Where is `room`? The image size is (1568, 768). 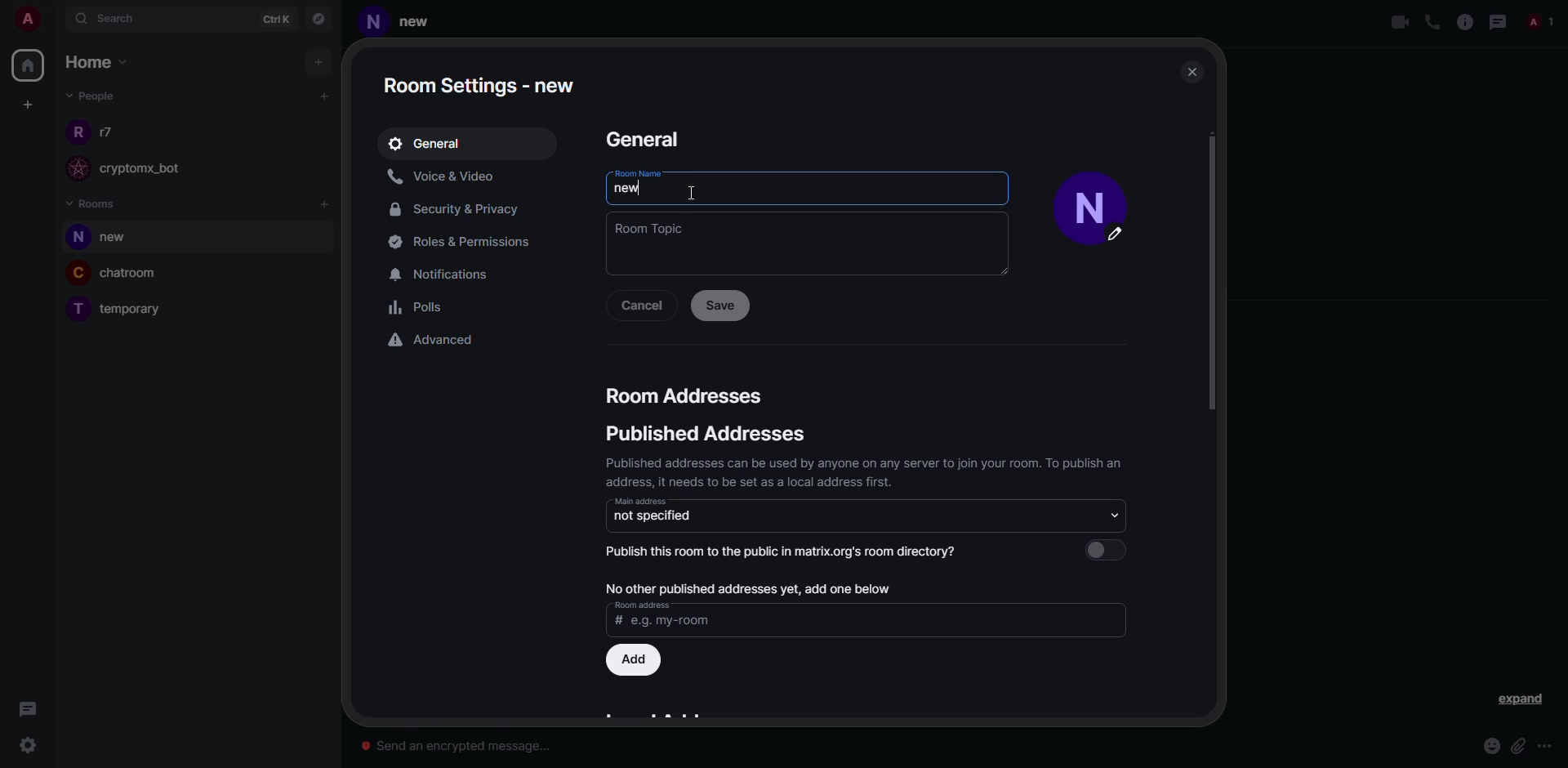
room is located at coordinates (136, 275).